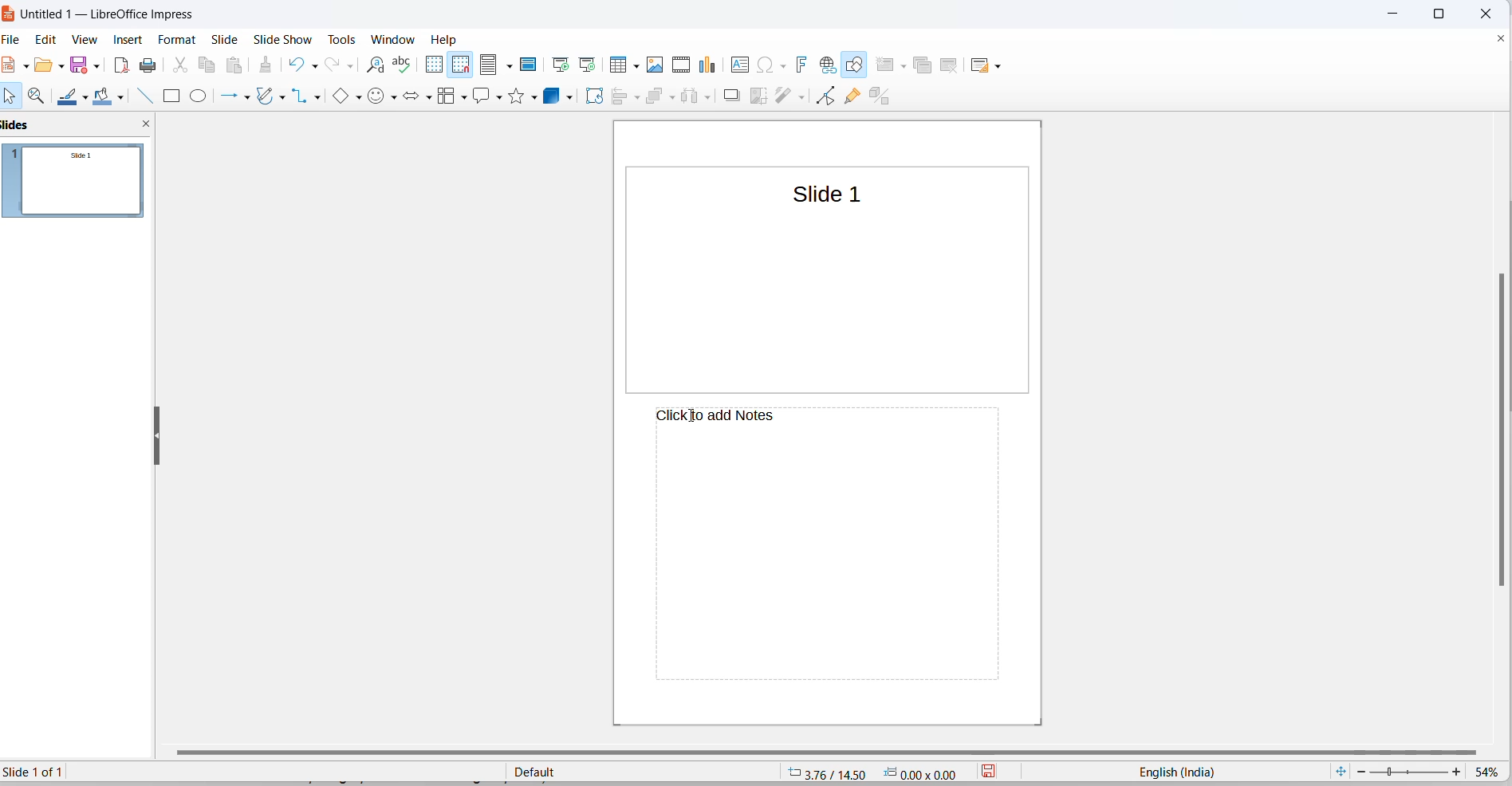  Describe the element at coordinates (1000, 65) in the screenshot. I see `slide layout options` at that location.